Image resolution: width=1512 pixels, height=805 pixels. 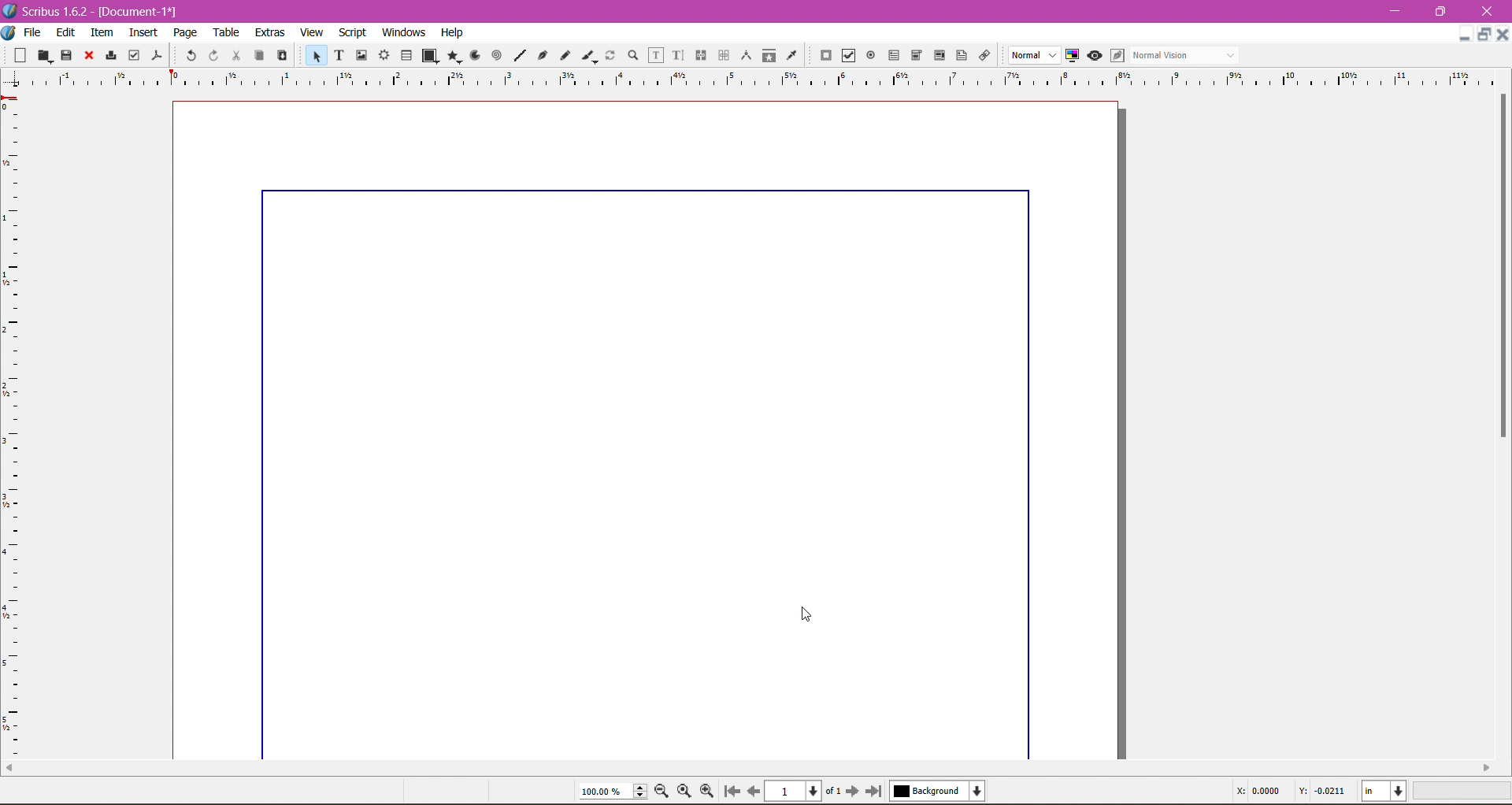 I want to click on Extras, so click(x=269, y=32).